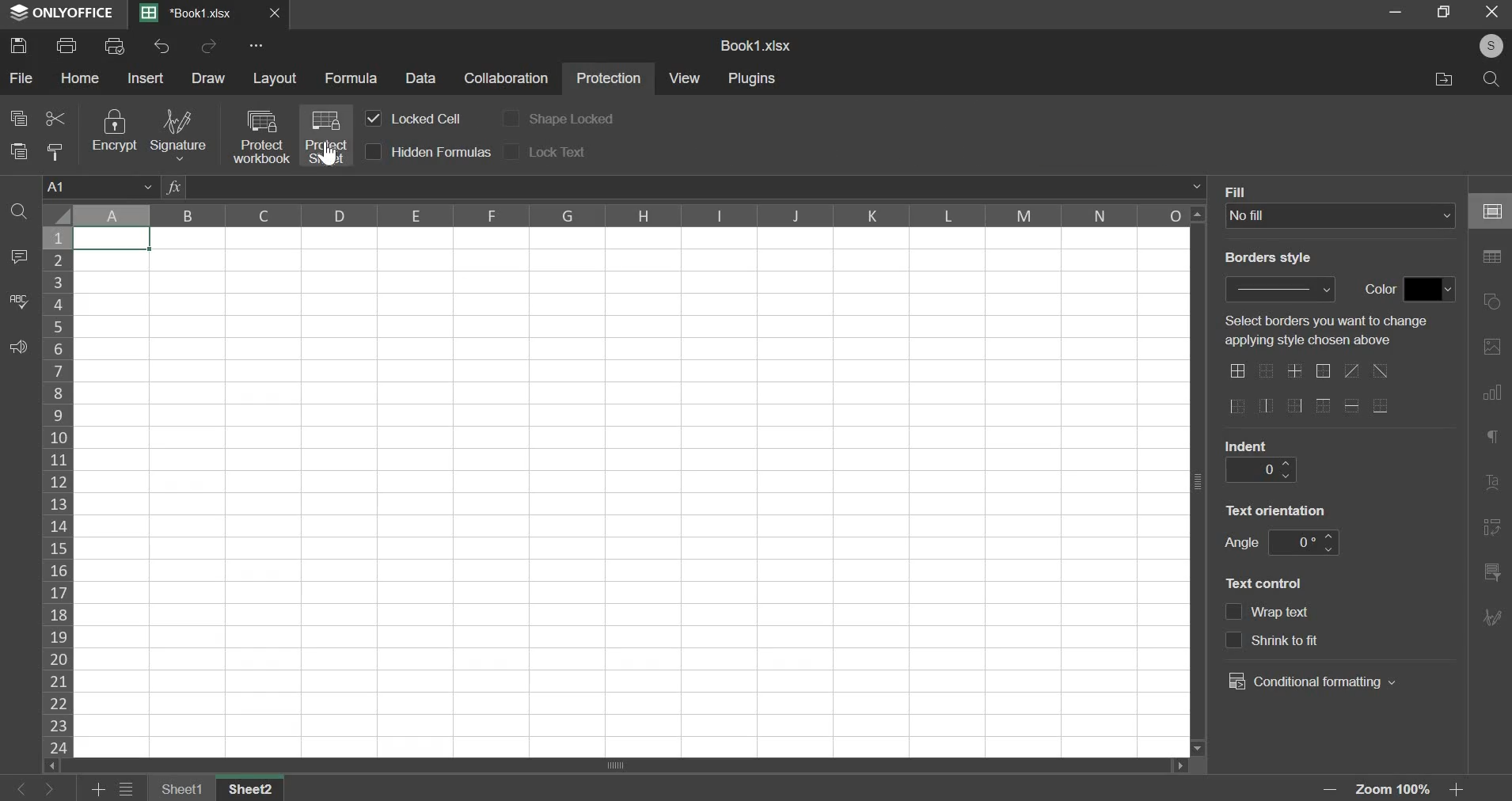 The image size is (1512, 801). What do you see at coordinates (1199, 481) in the screenshot?
I see `Scroll bar` at bounding box center [1199, 481].